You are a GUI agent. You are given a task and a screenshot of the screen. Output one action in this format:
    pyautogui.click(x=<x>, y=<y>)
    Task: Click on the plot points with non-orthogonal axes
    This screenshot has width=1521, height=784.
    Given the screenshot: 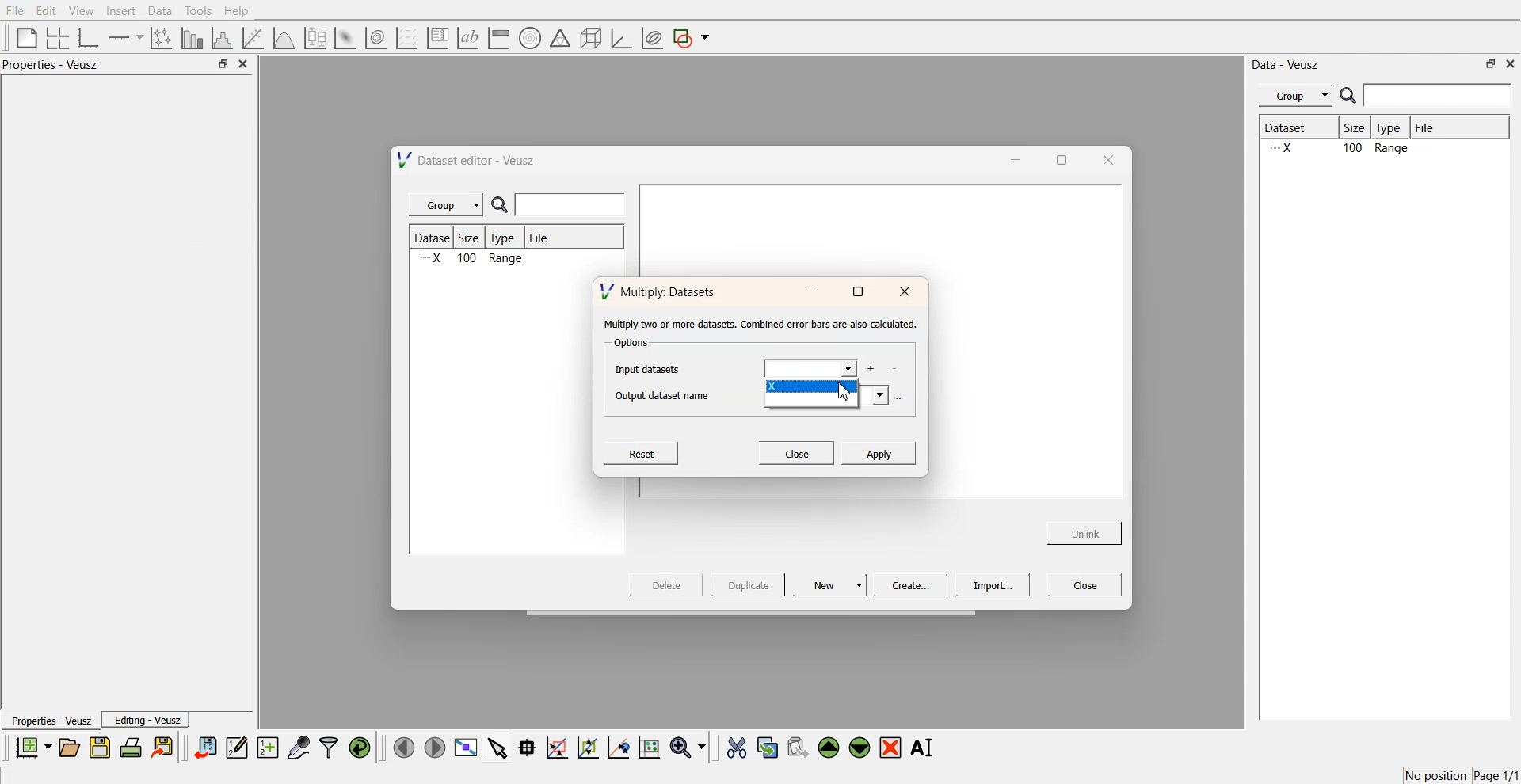 What is the action you would take?
    pyautogui.click(x=160, y=37)
    